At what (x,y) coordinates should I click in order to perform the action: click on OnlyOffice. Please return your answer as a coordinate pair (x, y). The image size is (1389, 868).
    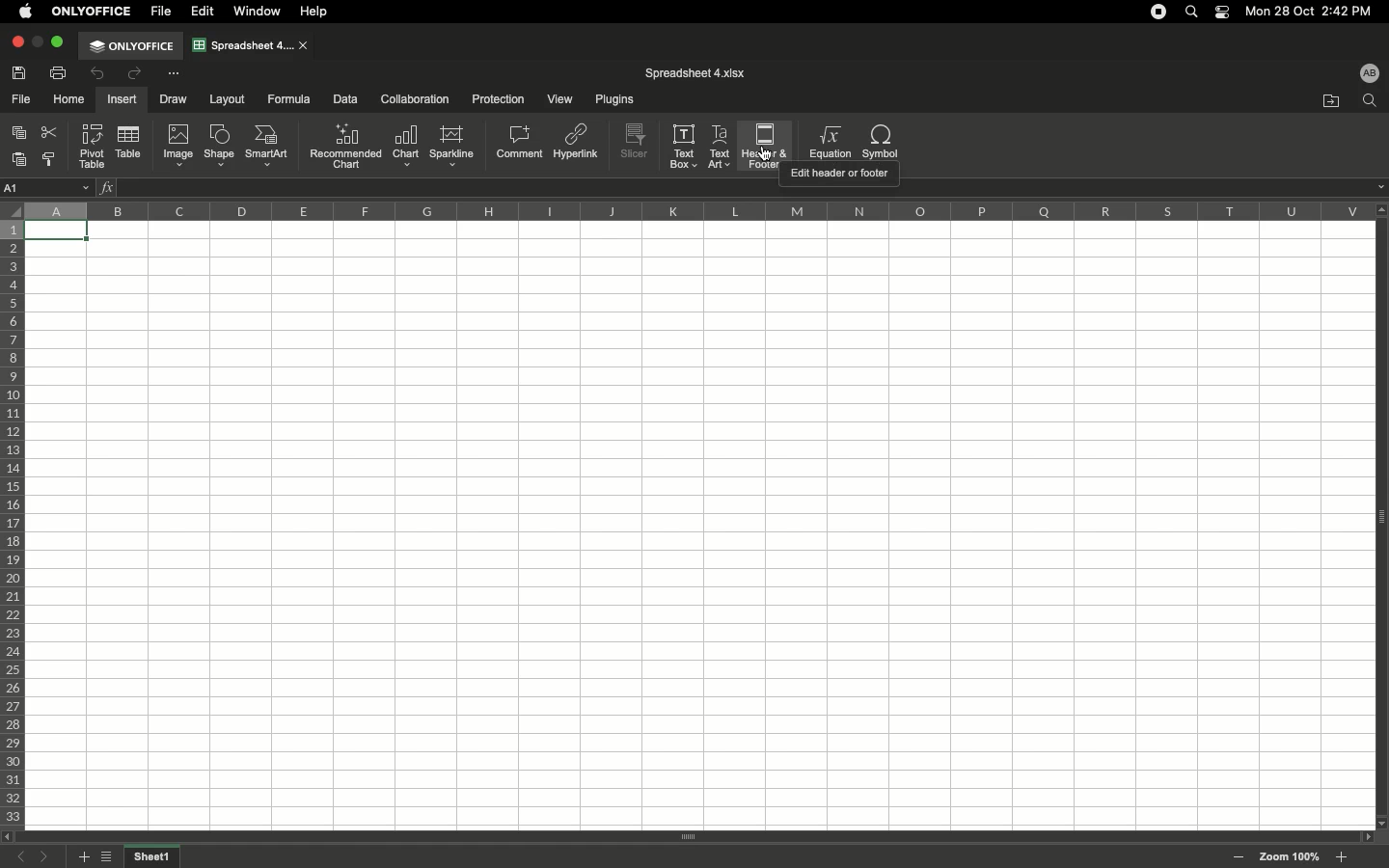
    Looking at the image, I should click on (93, 12).